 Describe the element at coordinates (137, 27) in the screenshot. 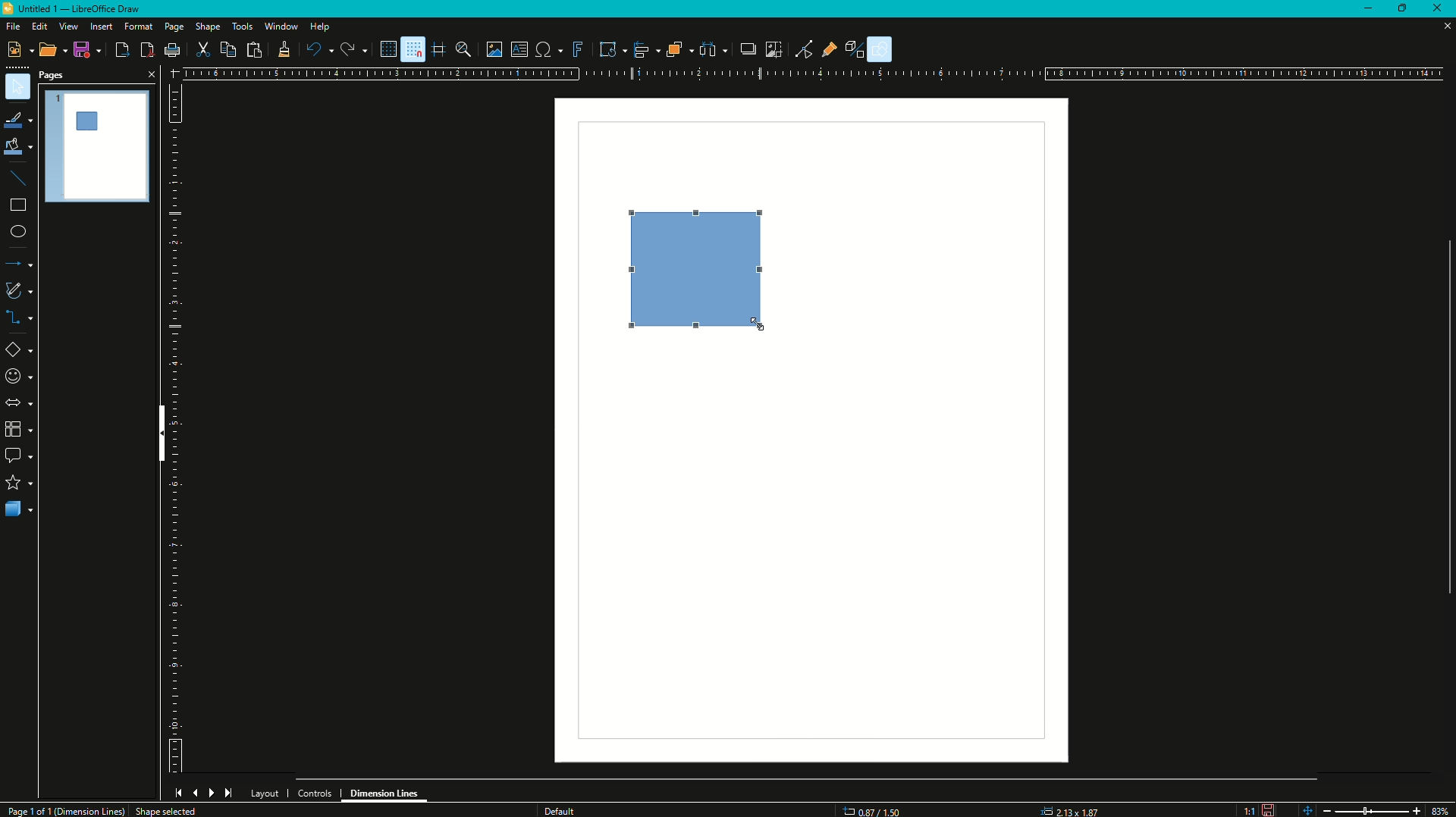

I see `Format` at that location.